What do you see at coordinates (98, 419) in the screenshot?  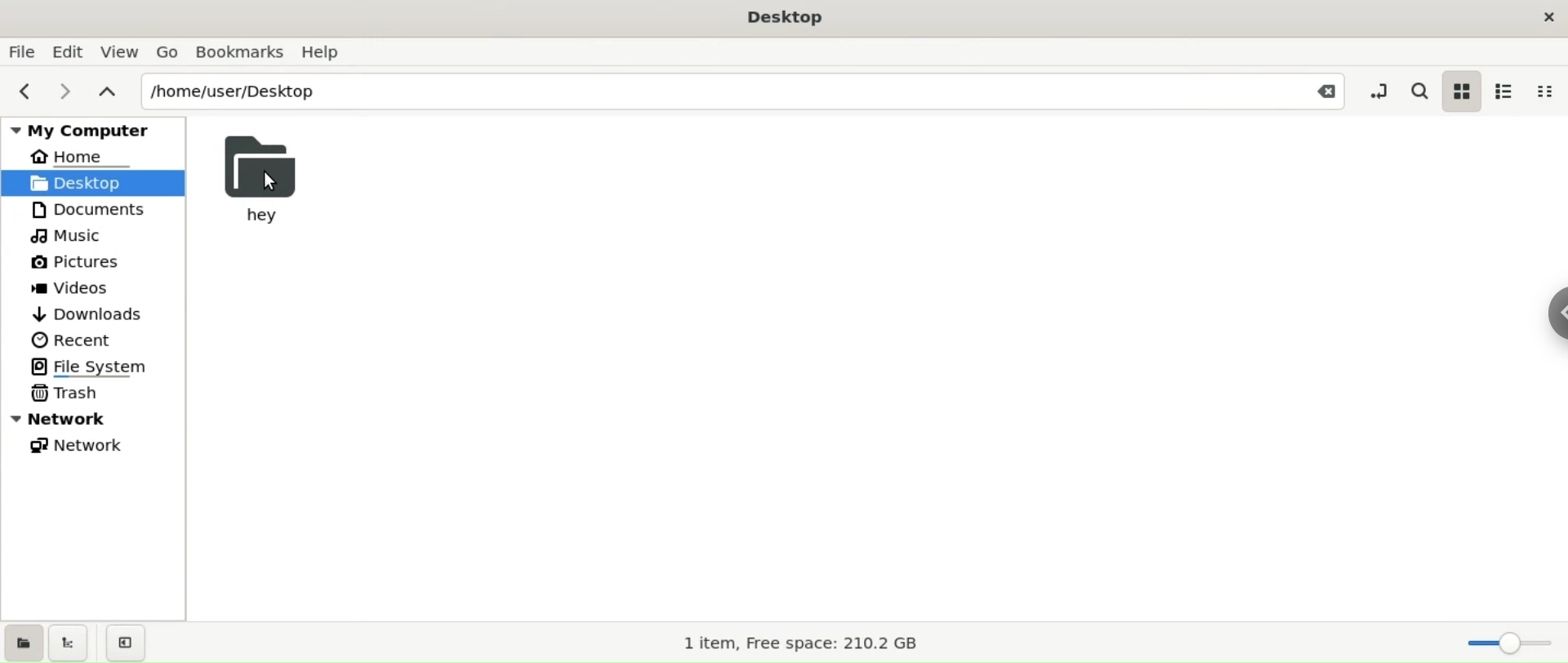 I see `Network` at bounding box center [98, 419].